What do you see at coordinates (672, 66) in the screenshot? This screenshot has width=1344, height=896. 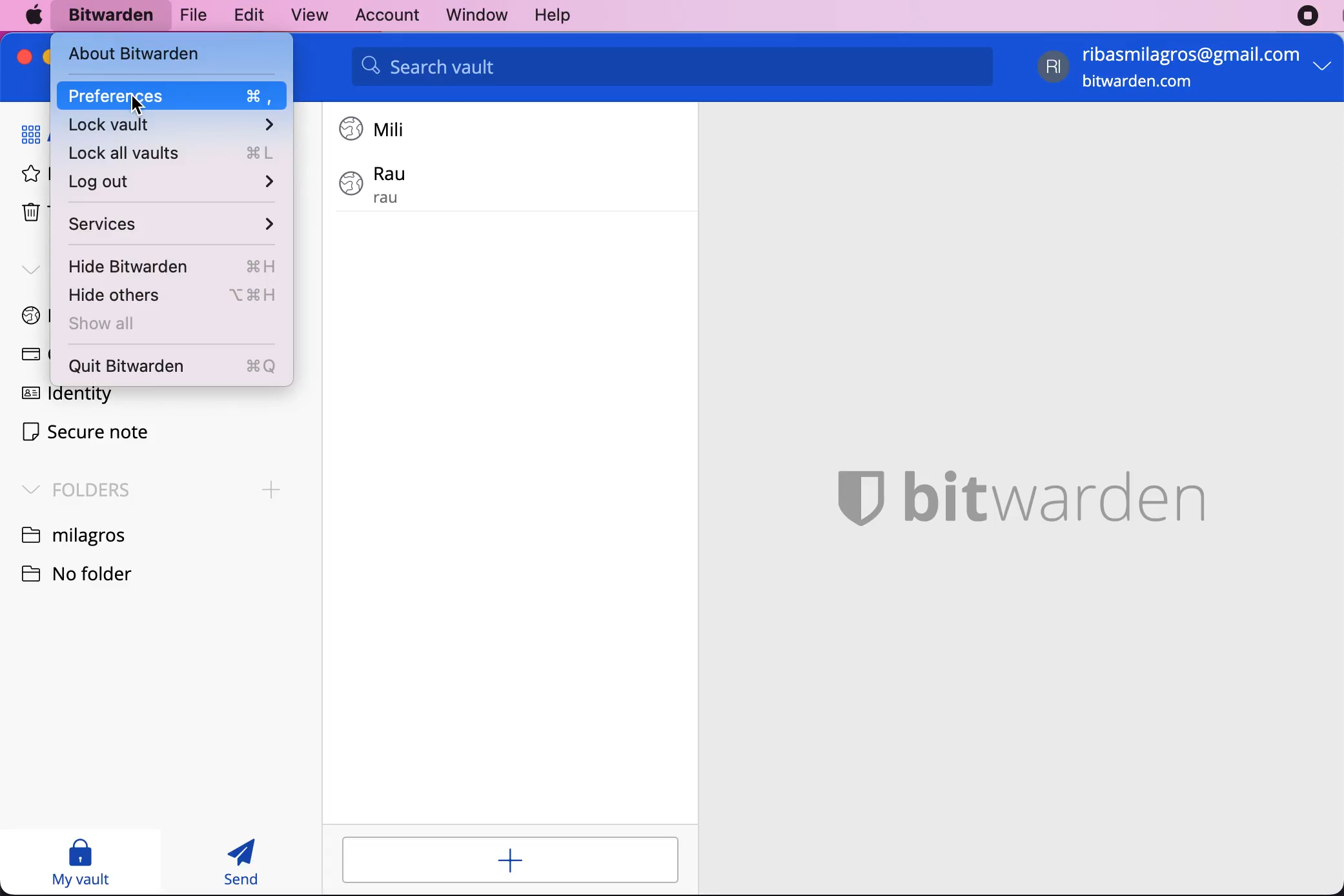 I see `search vault` at bounding box center [672, 66].